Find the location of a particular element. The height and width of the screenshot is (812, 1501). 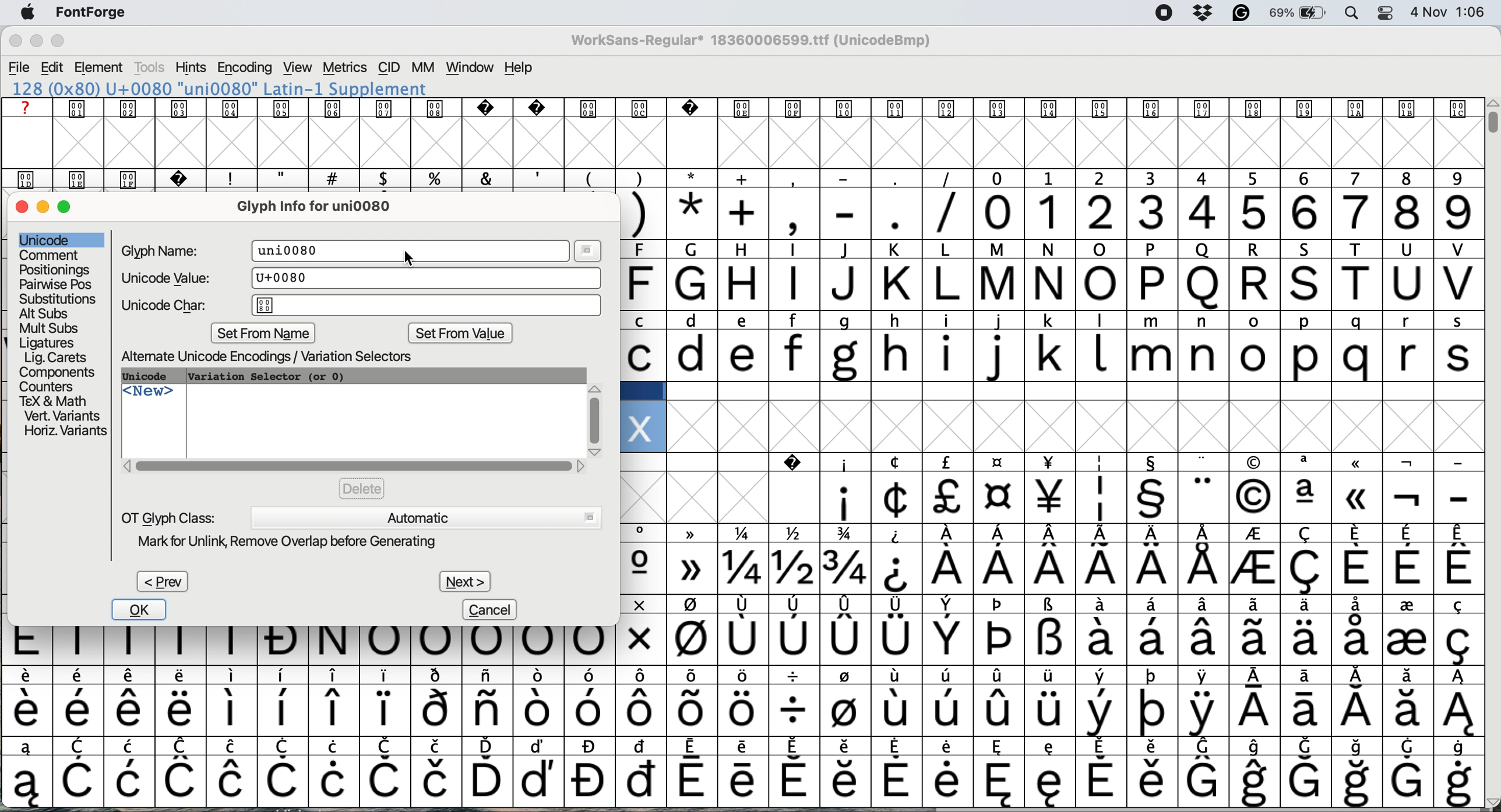

special characters is located at coordinates (1055, 569).